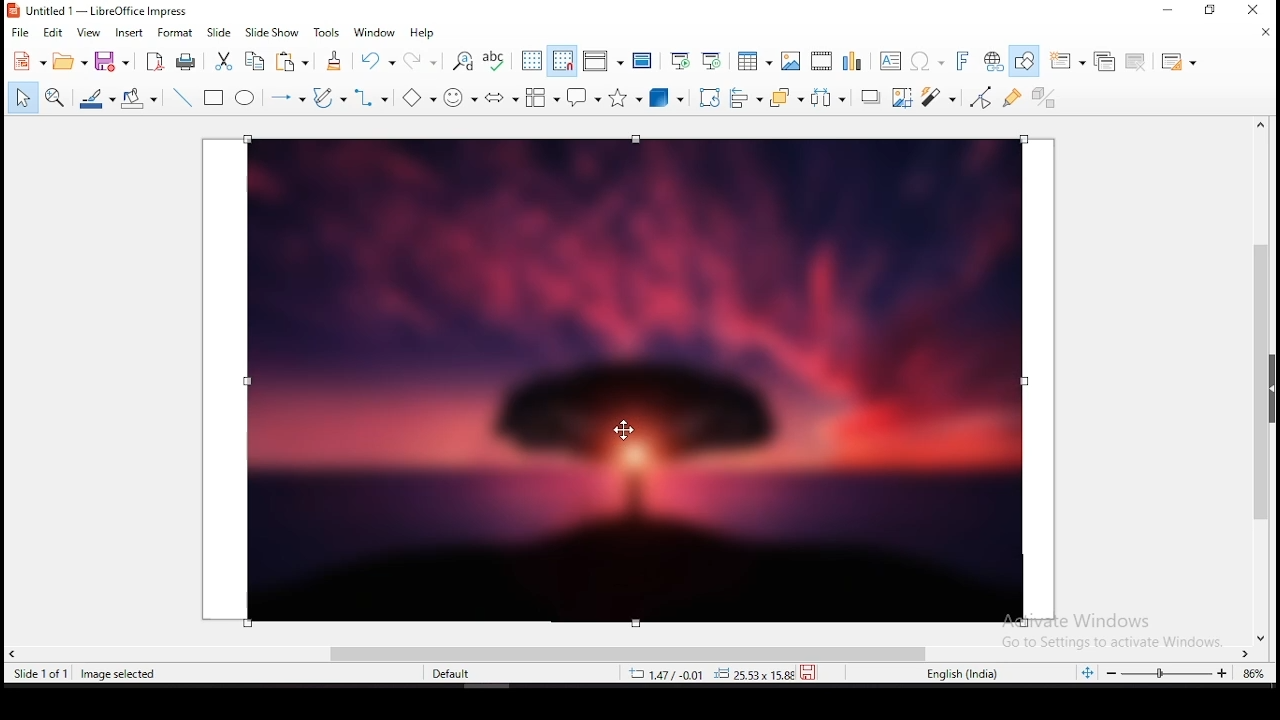 This screenshot has height=720, width=1280. What do you see at coordinates (97, 97) in the screenshot?
I see `line color` at bounding box center [97, 97].